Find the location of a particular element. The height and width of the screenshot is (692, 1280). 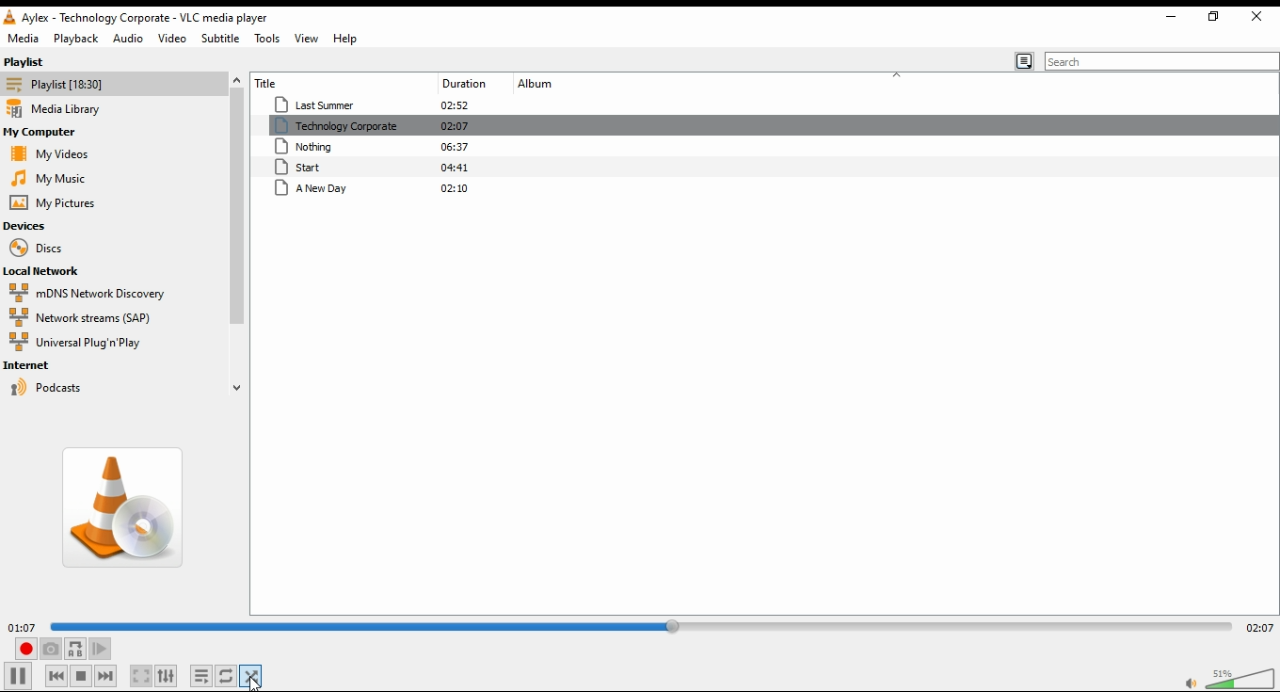

previous media in list, skips backward when held is located at coordinates (55, 677).